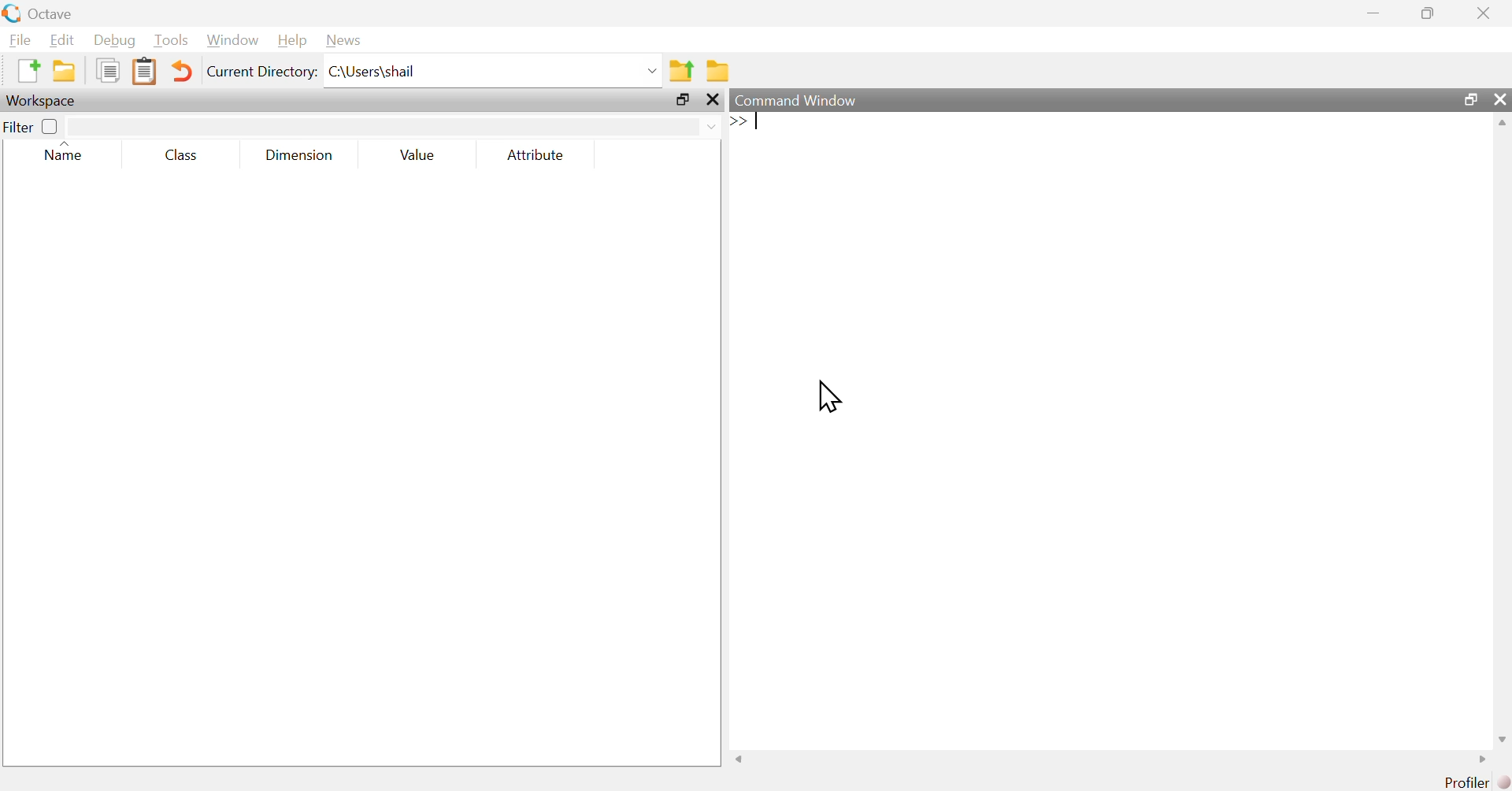 Image resolution: width=1512 pixels, height=791 pixels. What do you see at coordinates (182, 154) in the screenshot?
I see `Class` at bounding box center [182, 154].